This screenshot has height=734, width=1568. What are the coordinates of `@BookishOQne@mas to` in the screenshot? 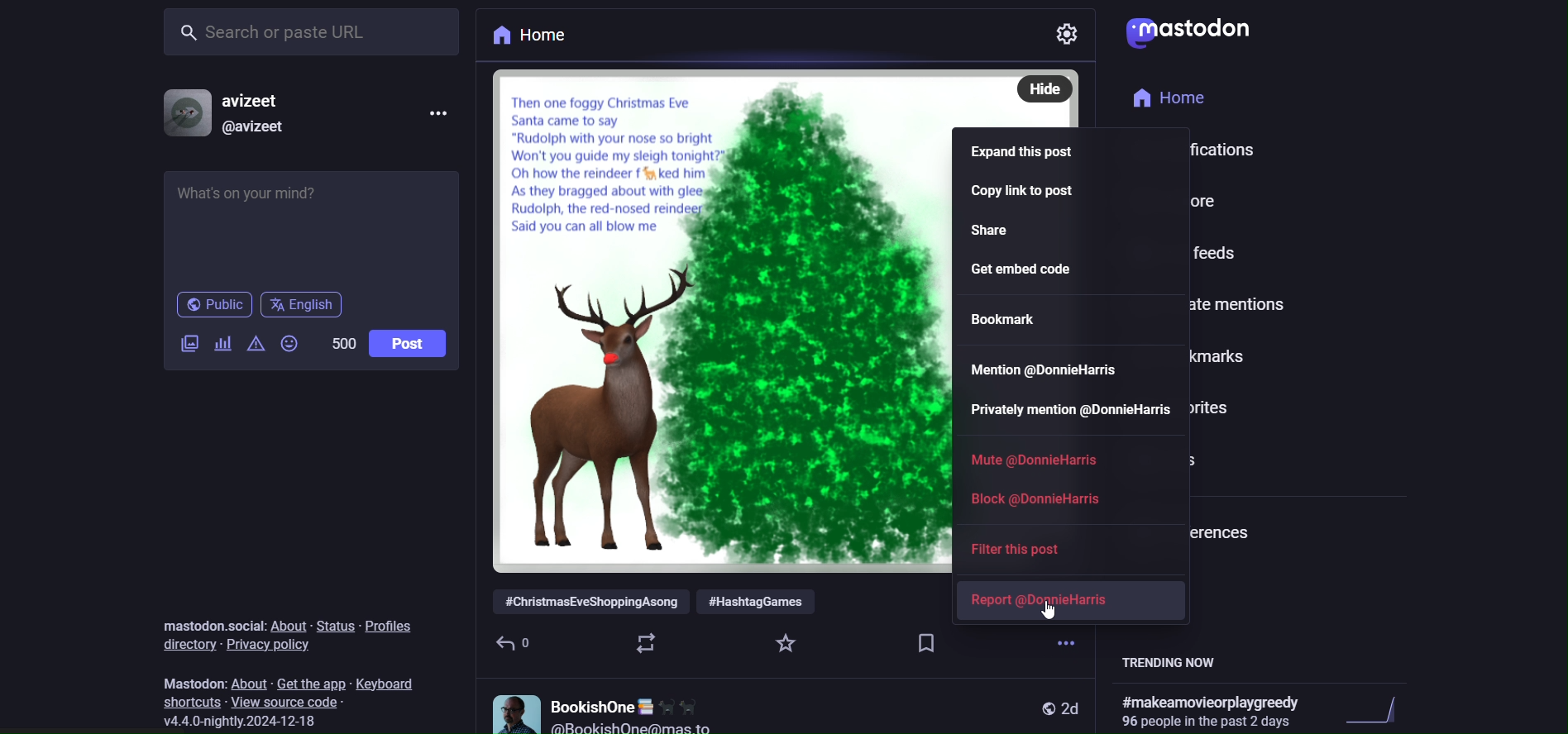 It's located at (635, 727).